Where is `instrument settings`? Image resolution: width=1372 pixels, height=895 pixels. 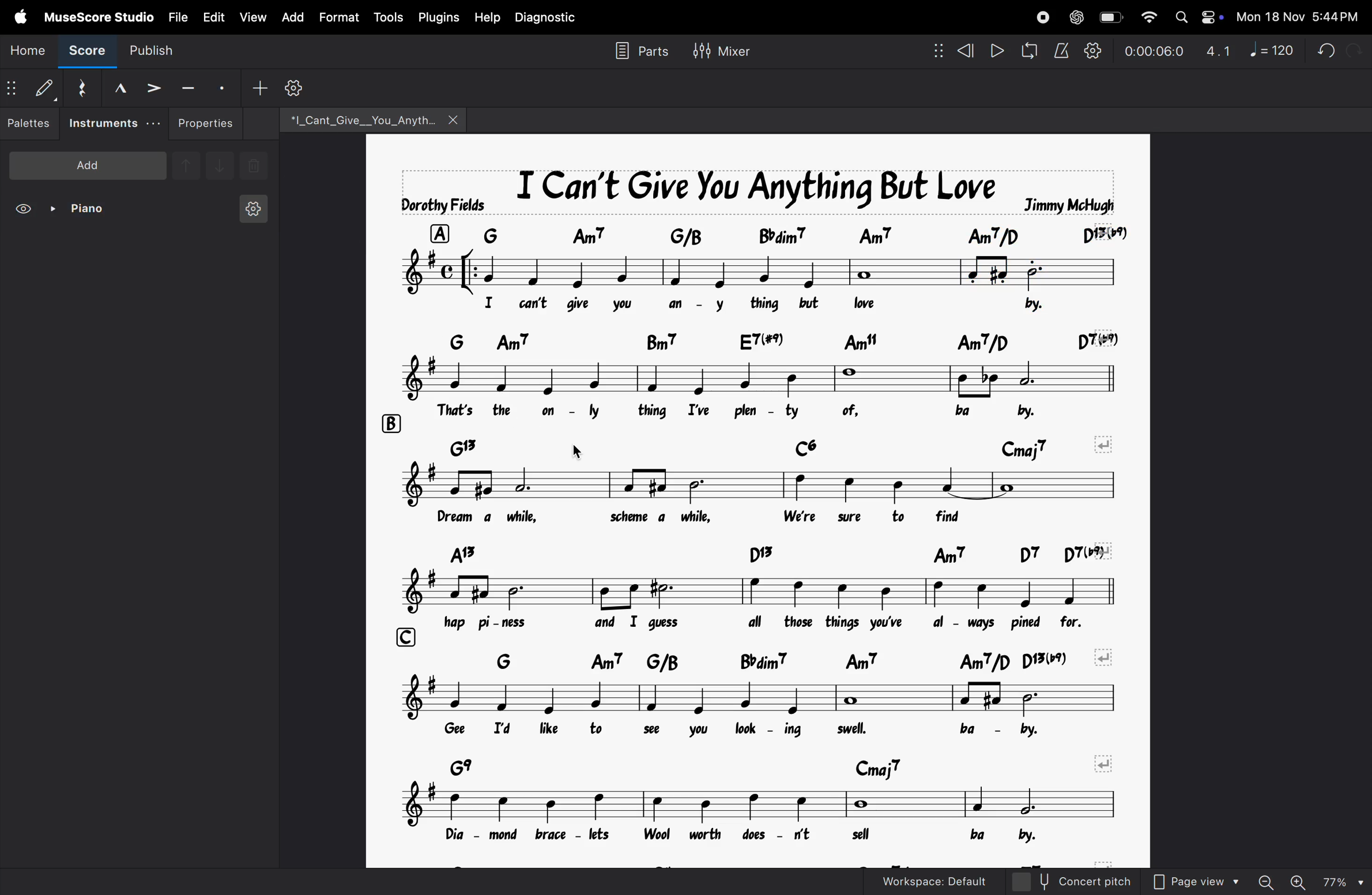 instrument settings is located at coordinates (251, 206).